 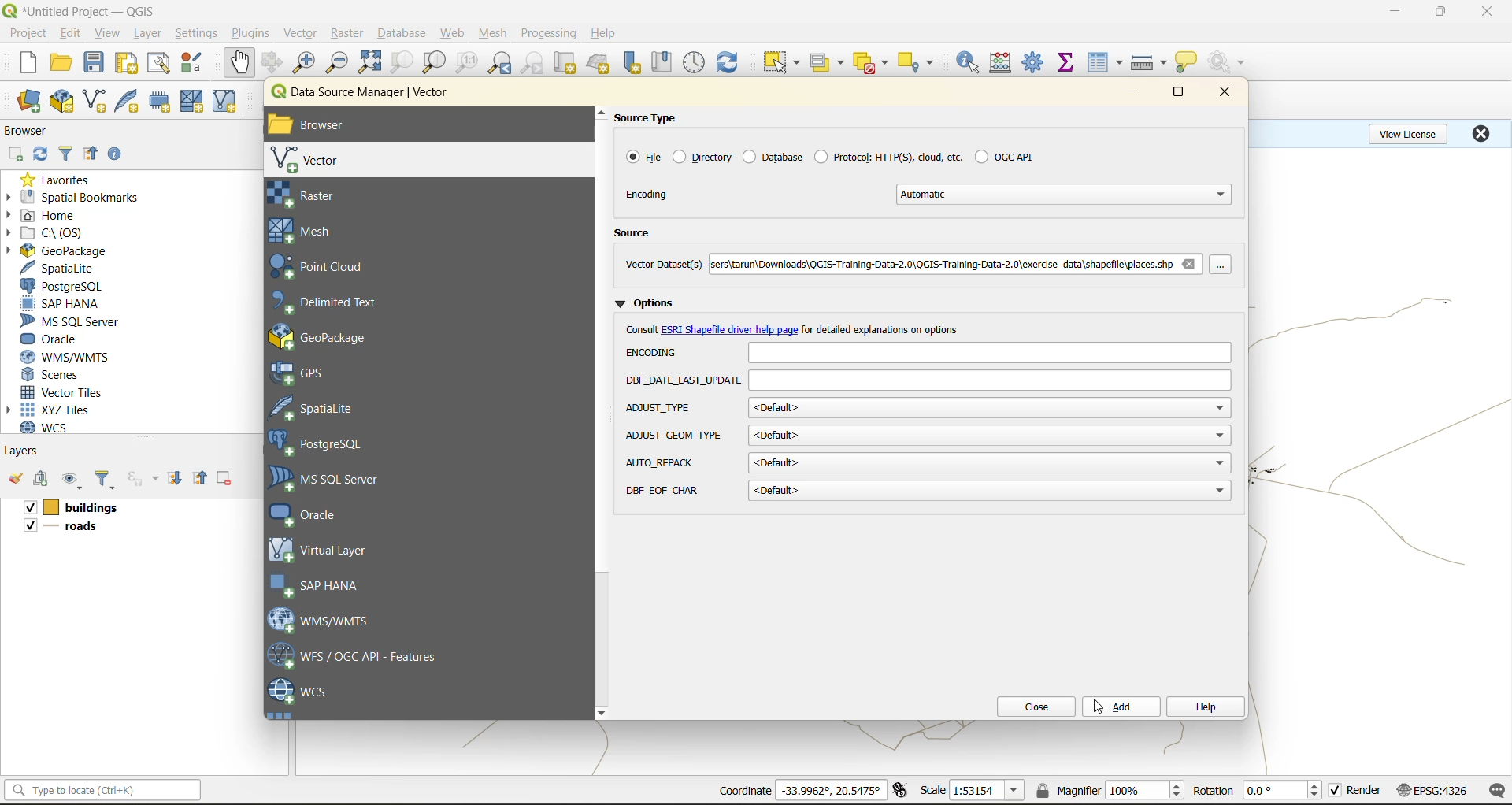 What do you see at coordinates (83, 10) in the screenshot?
I see `file name and app name` at bounding box center [83, 10].